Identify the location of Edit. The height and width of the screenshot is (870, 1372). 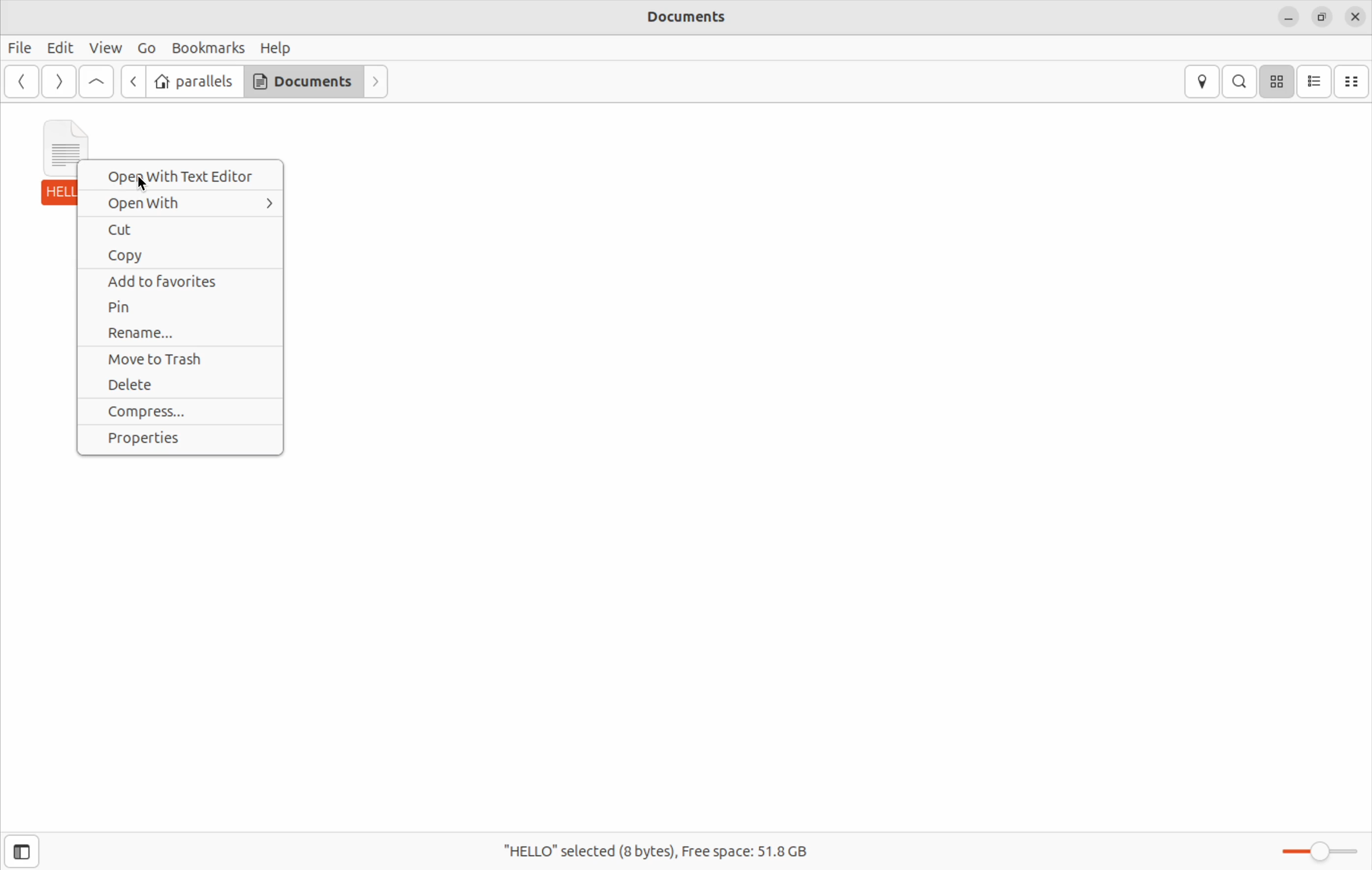
(59, 47).